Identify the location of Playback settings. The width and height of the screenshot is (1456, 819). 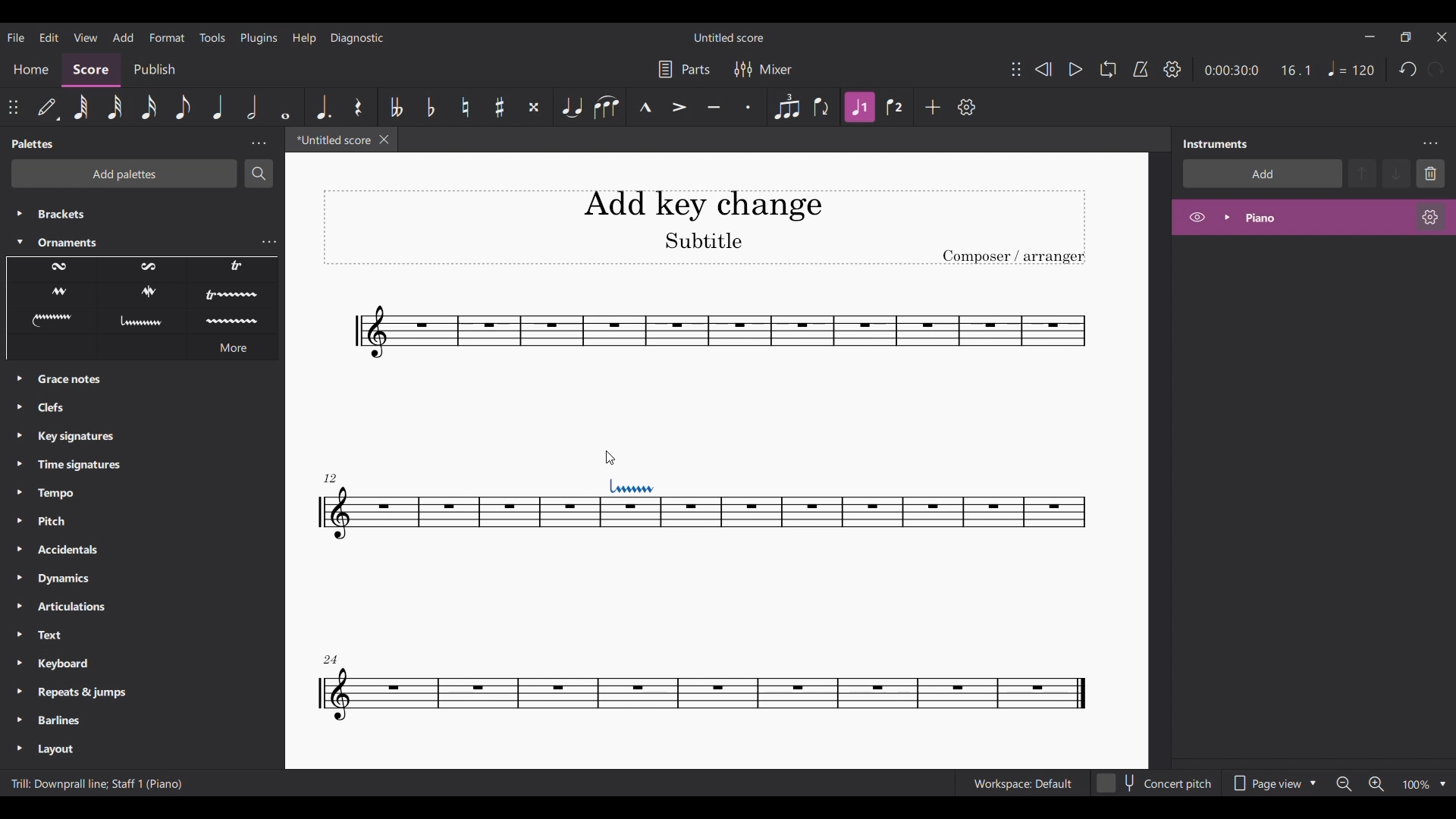
(1172, 70).